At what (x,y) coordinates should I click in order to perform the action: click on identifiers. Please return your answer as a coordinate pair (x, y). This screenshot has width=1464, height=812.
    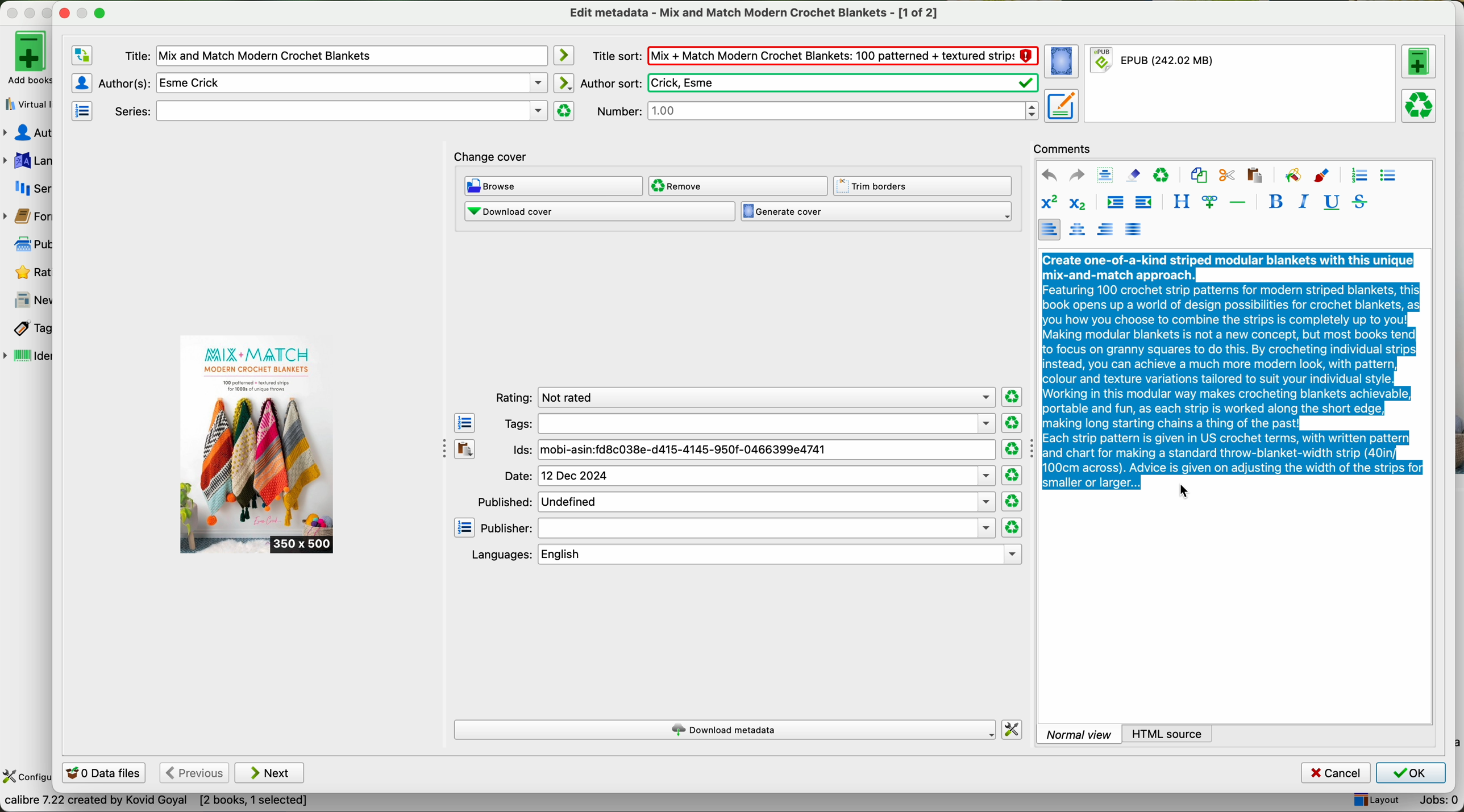
    Looking at the image, I should click on (28, 357).